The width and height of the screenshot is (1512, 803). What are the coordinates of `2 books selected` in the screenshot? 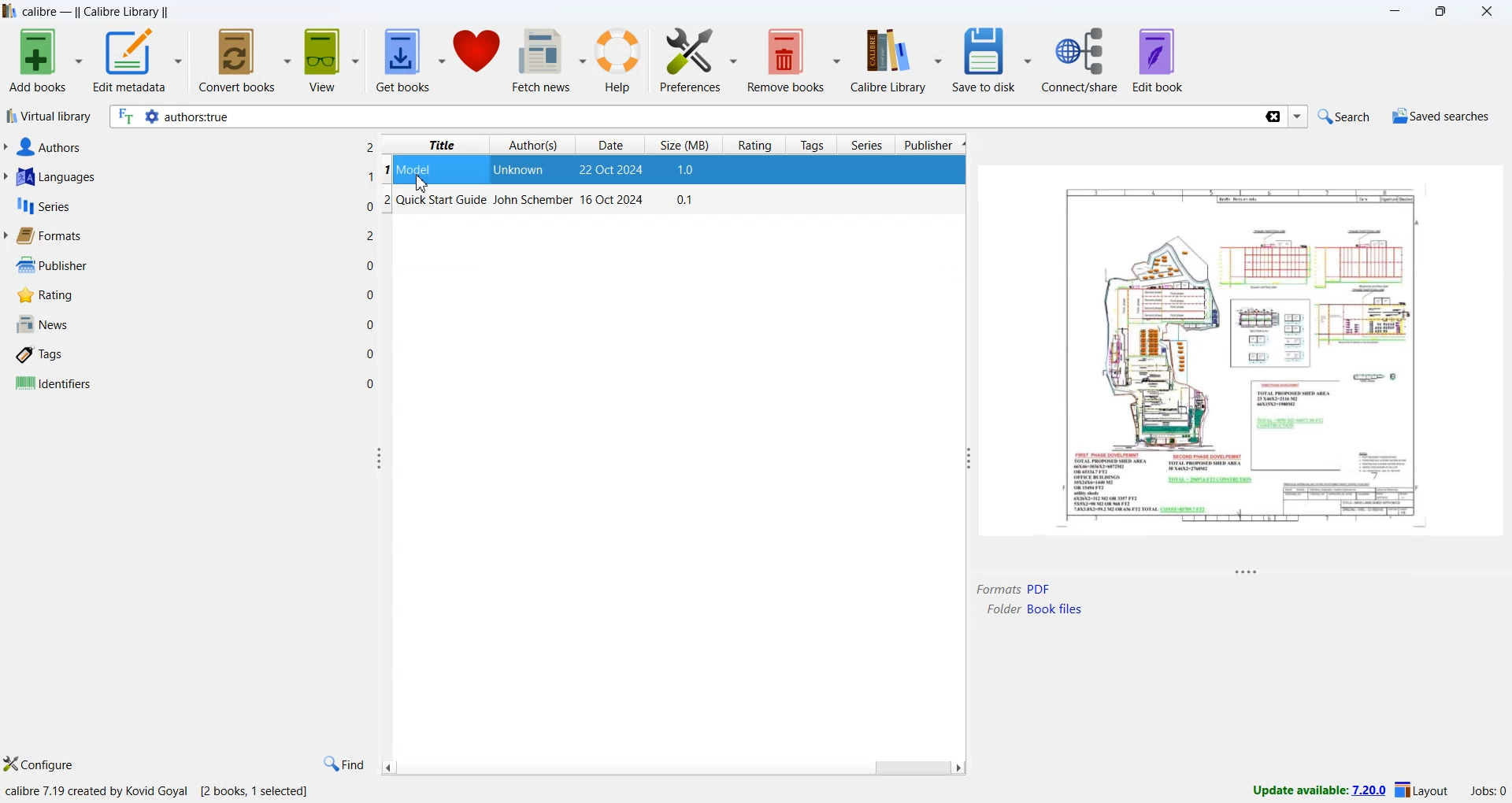 It's located at (258, 793).